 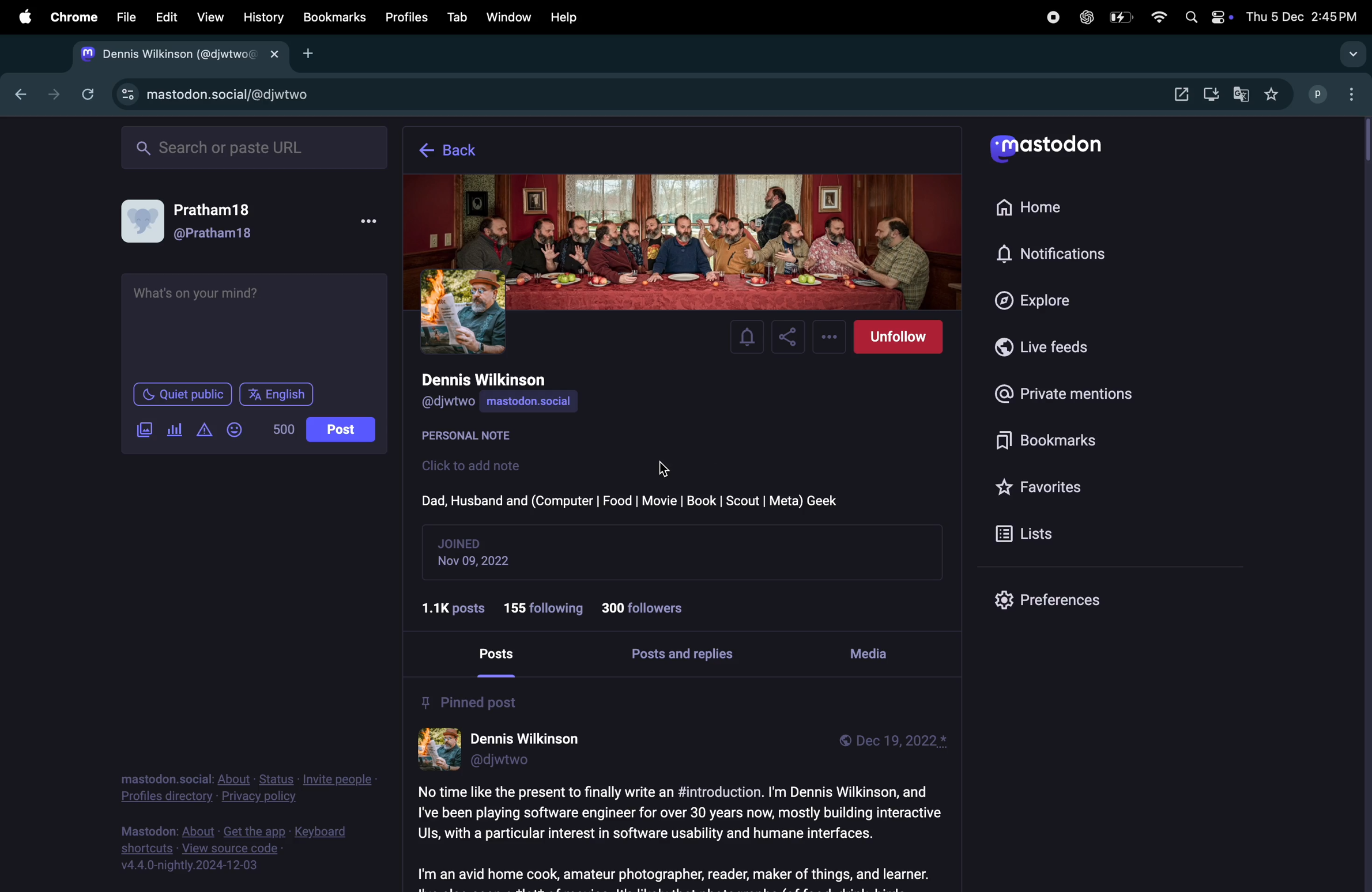 What do you see at coordinates (87, 93) in the screenshot?
I see `refresh` at bounding box center [87, 93].